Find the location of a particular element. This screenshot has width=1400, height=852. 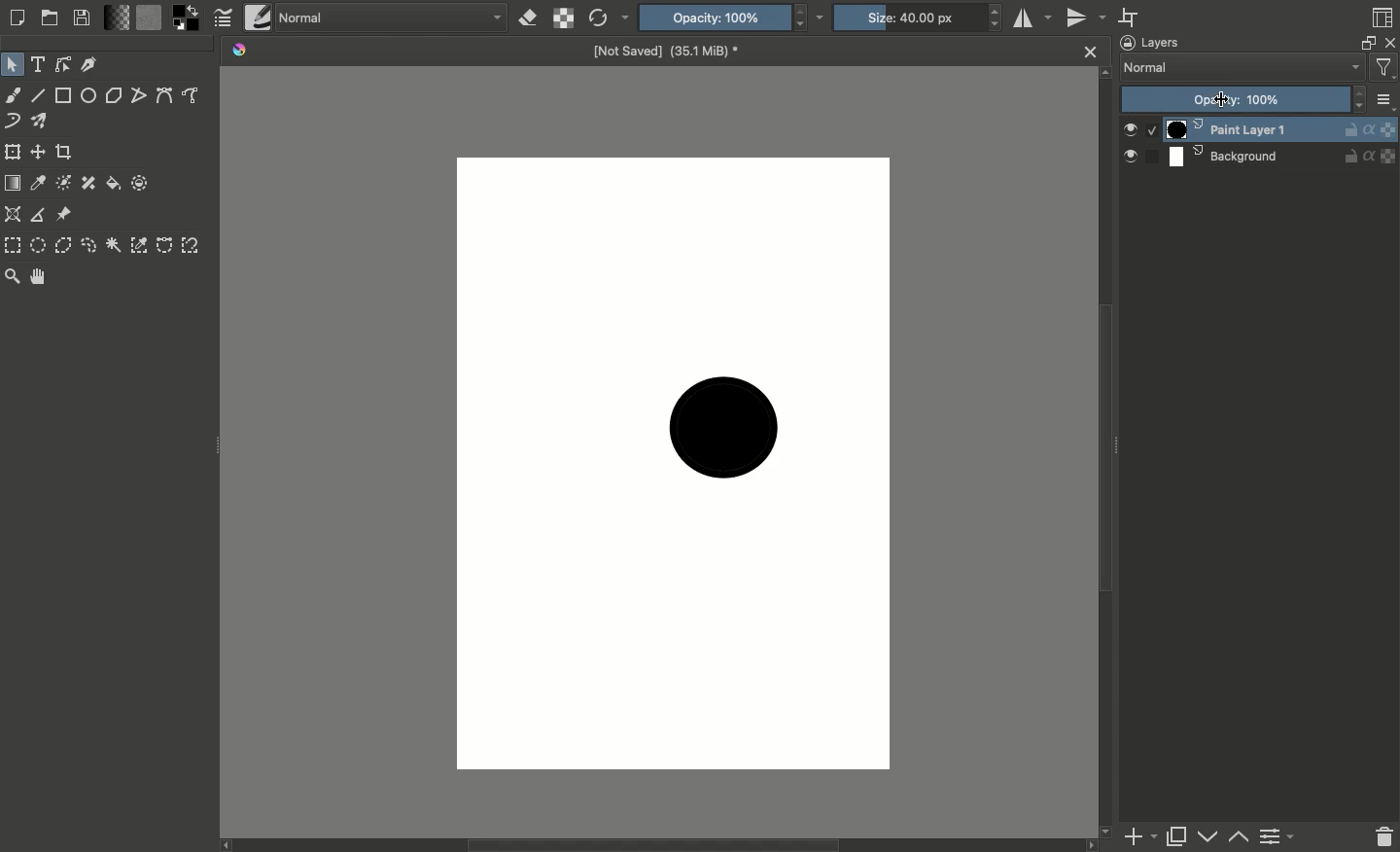

Save is located at coordinates (83, 19).